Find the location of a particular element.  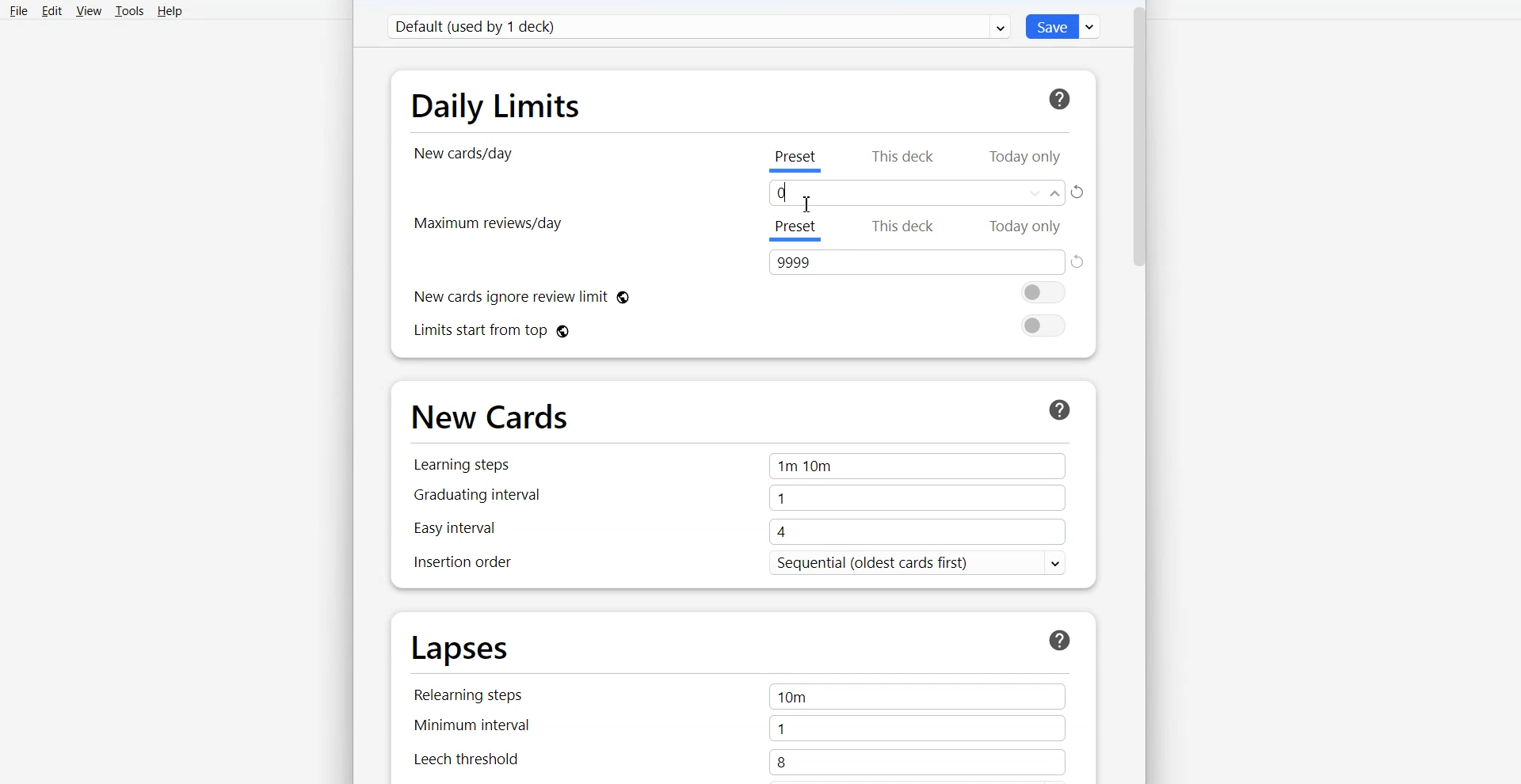

1 is located at coordinates (921, 728).